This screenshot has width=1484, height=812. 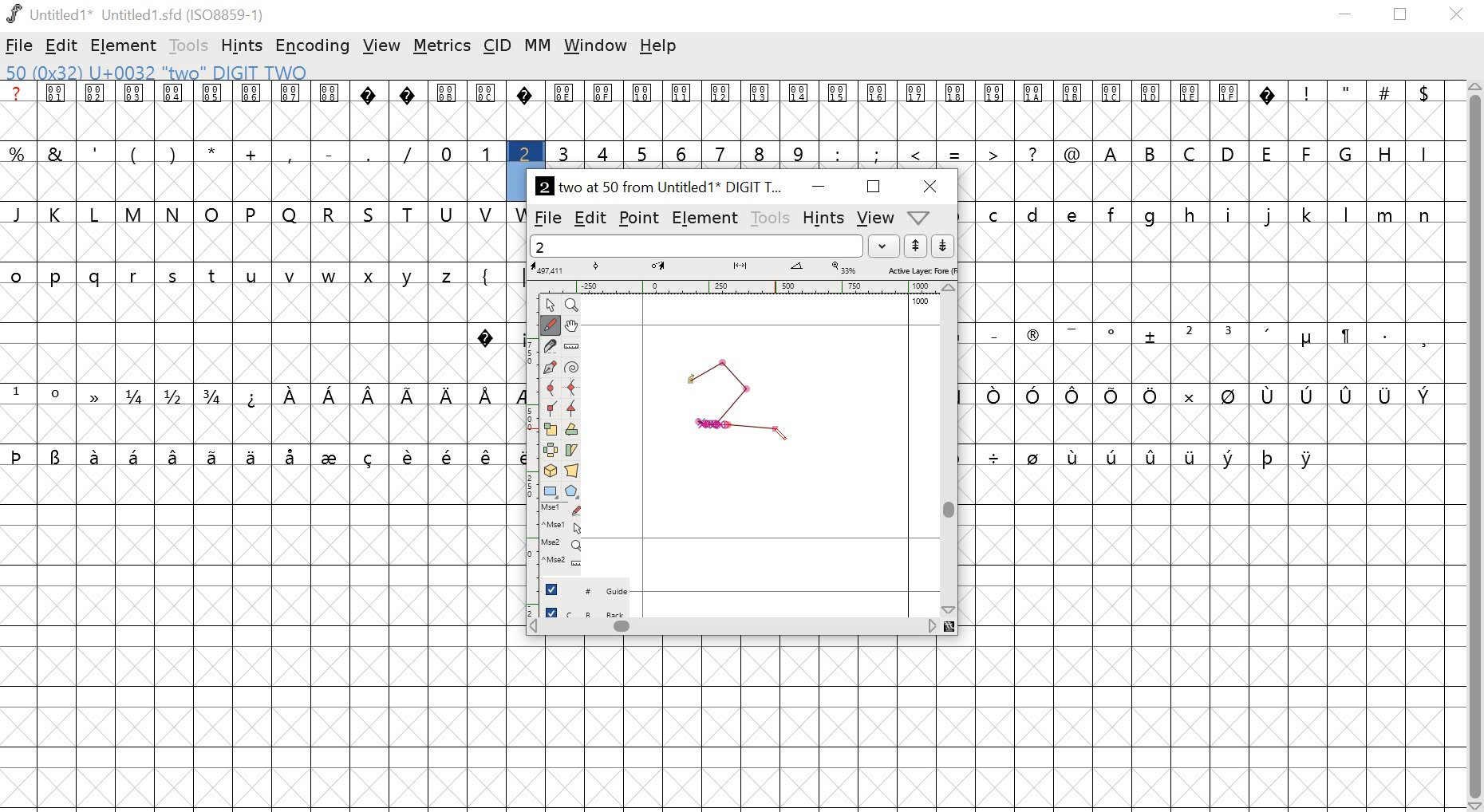 What do you see at coordinates (571, 451) in the screenshot?
I see `skew` at bounding box center [571, 451].